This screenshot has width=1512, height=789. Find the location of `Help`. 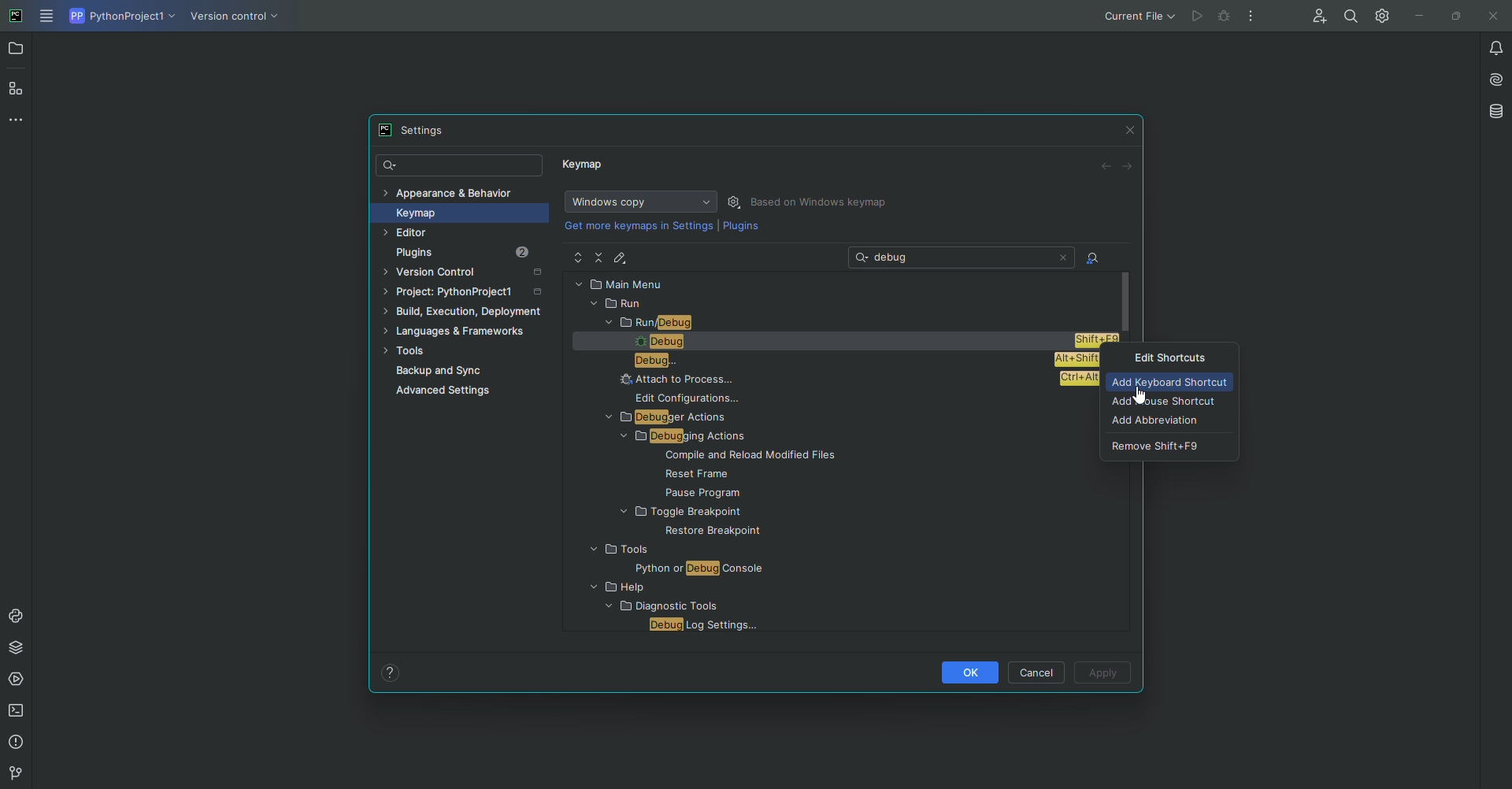

Help is located at coordinates (391, 672).